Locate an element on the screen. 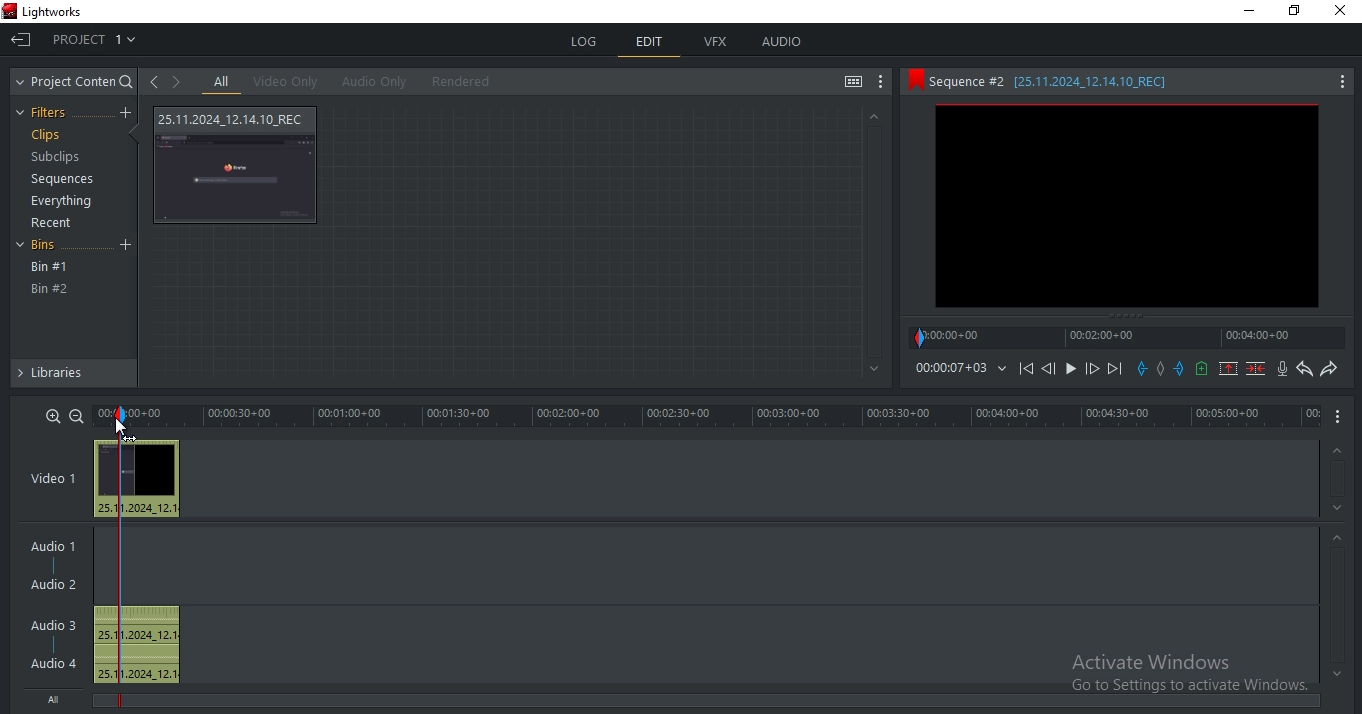 Image resolution: width=1362 pixels, height=714 pixels. all is located at coordinates (222, 82).